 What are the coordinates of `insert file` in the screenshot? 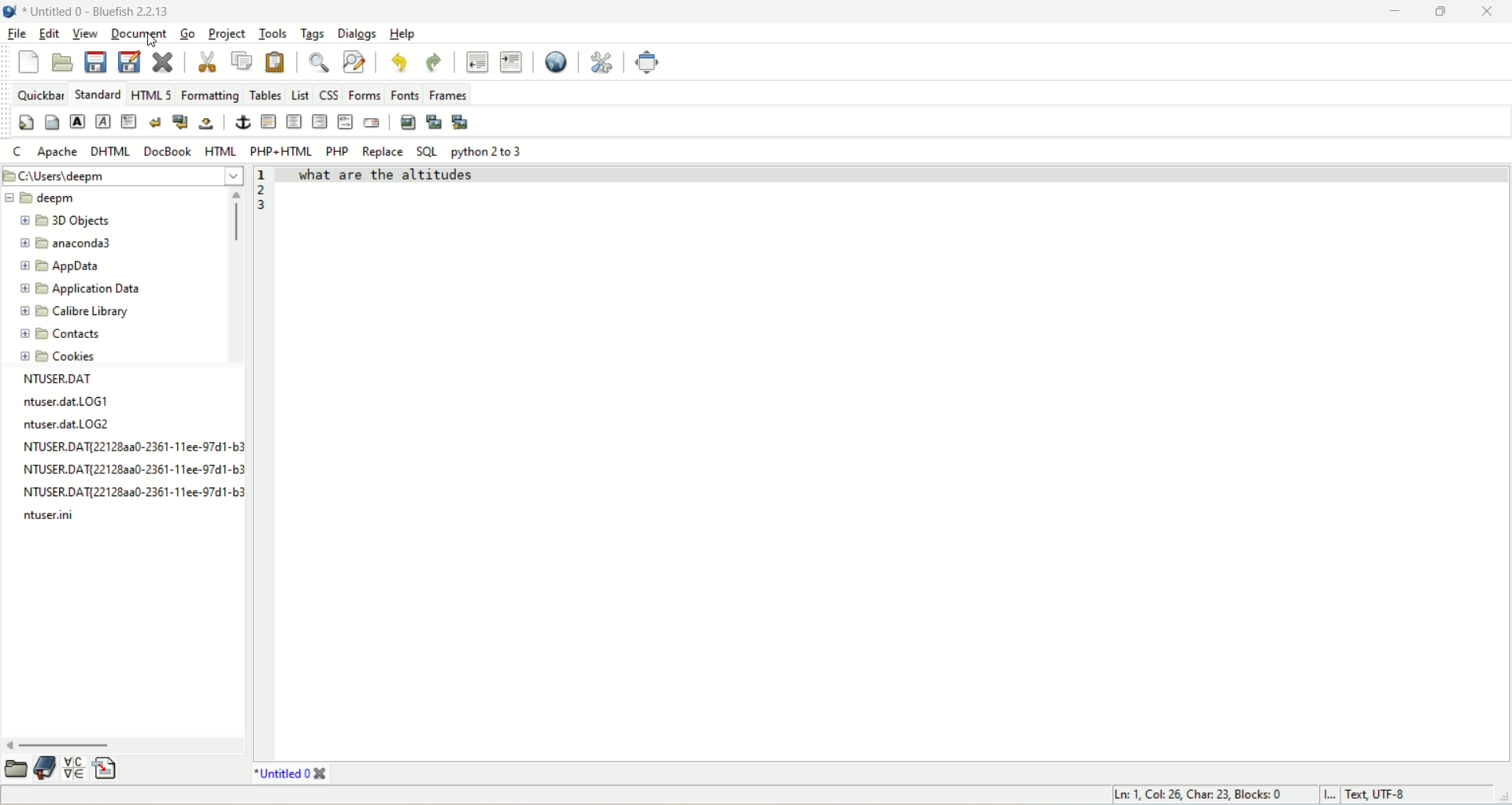 It's located at (109, 768).